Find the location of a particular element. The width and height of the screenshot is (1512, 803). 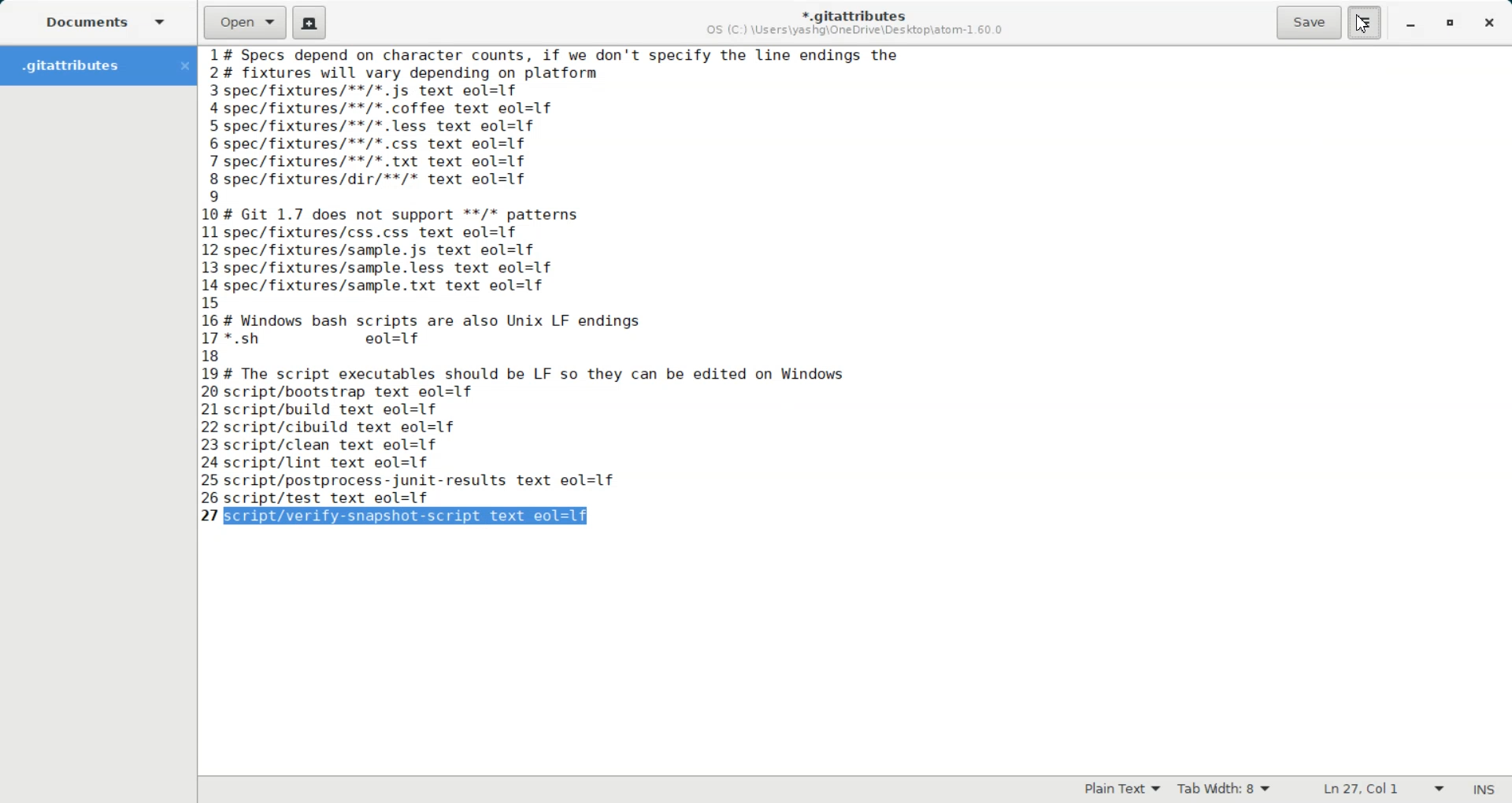

Close is located at coordinates (1489, 24).